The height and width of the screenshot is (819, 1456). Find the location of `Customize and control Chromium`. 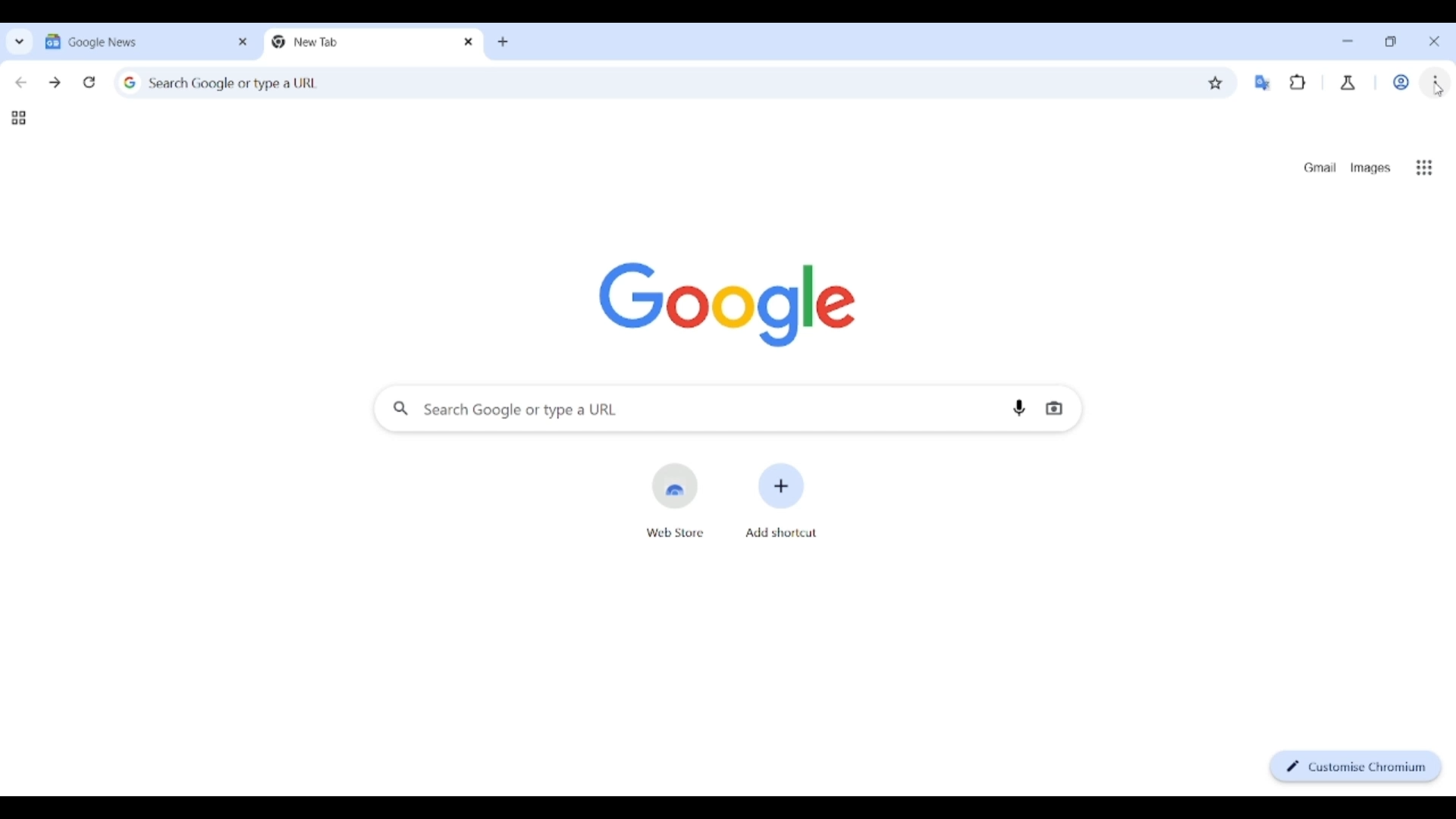

Customize and control Chromium is located at coordinates (1435, 82).